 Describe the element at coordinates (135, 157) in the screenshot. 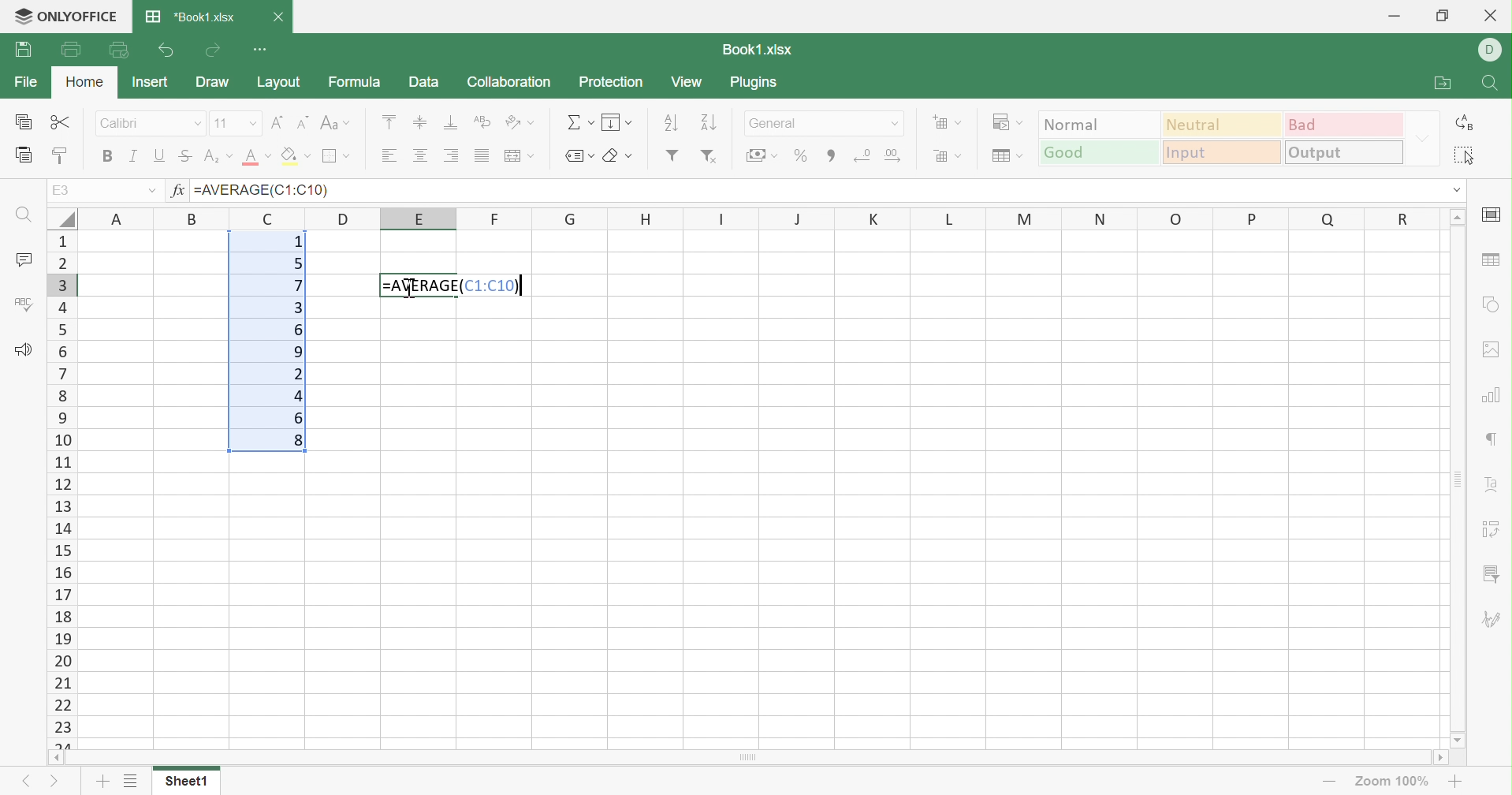

I see `Italic` at that location.